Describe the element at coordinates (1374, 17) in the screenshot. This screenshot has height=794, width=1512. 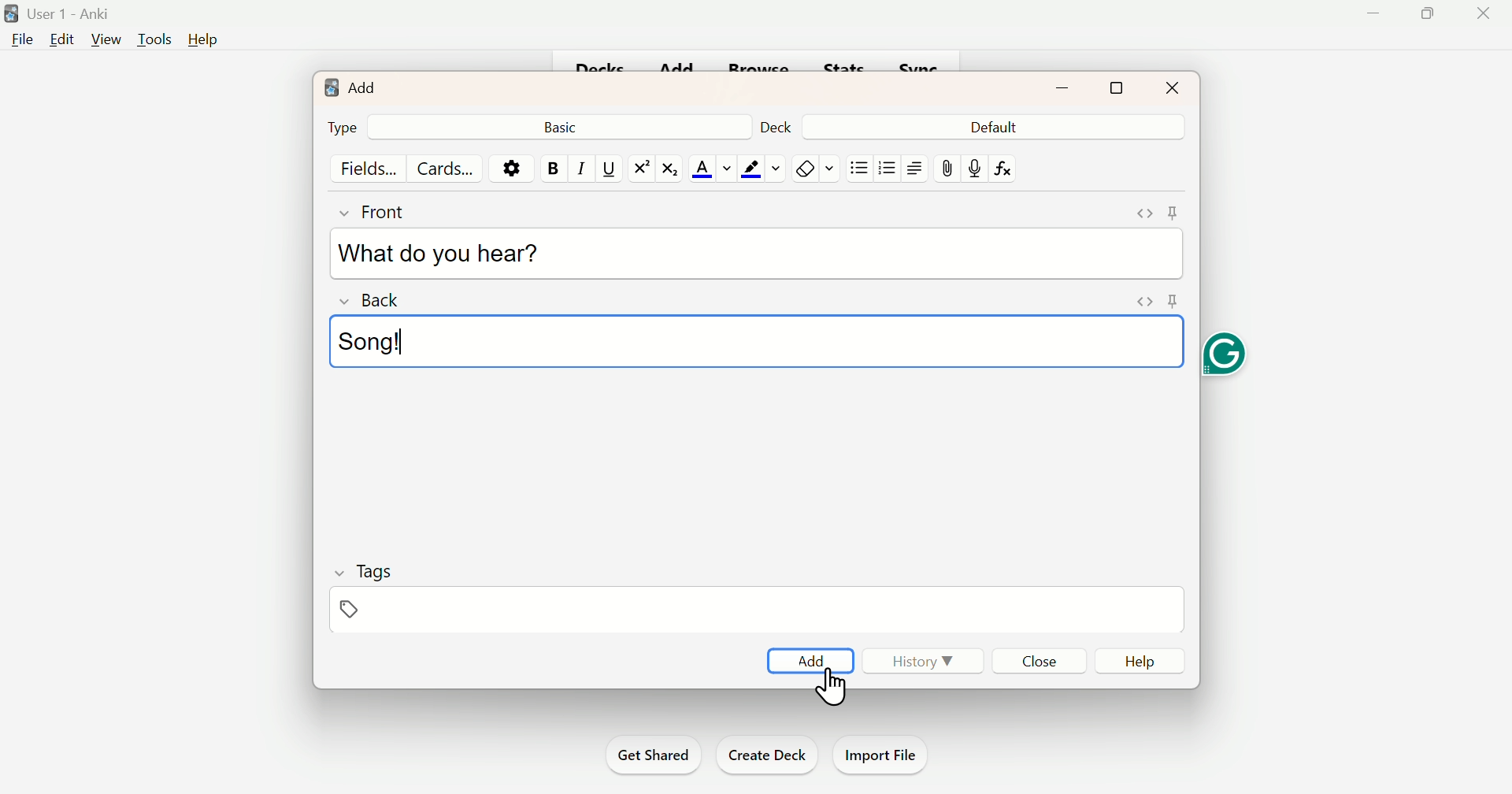
I see `Minimize` at that location.